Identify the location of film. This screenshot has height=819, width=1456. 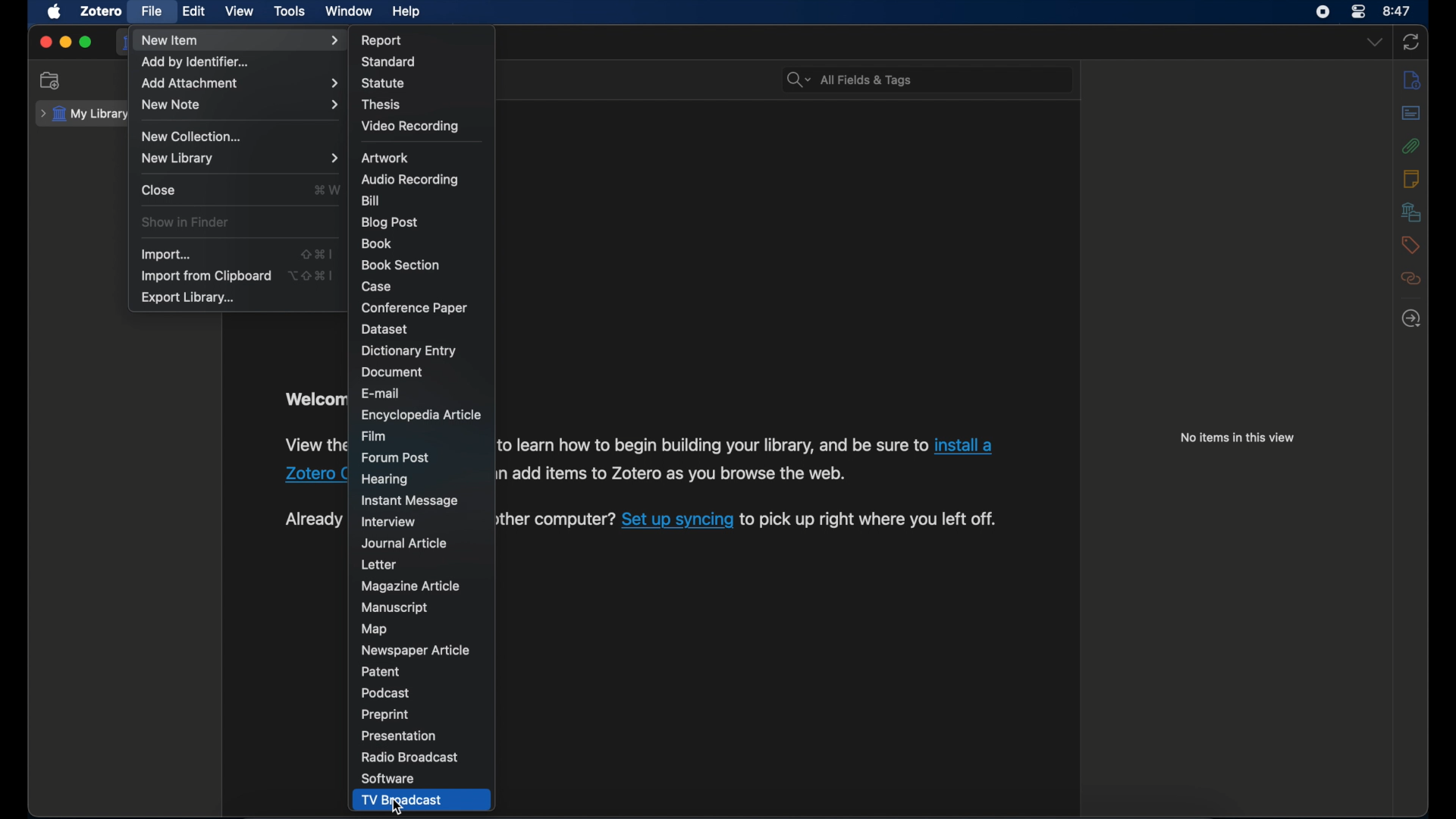
(374, 435).